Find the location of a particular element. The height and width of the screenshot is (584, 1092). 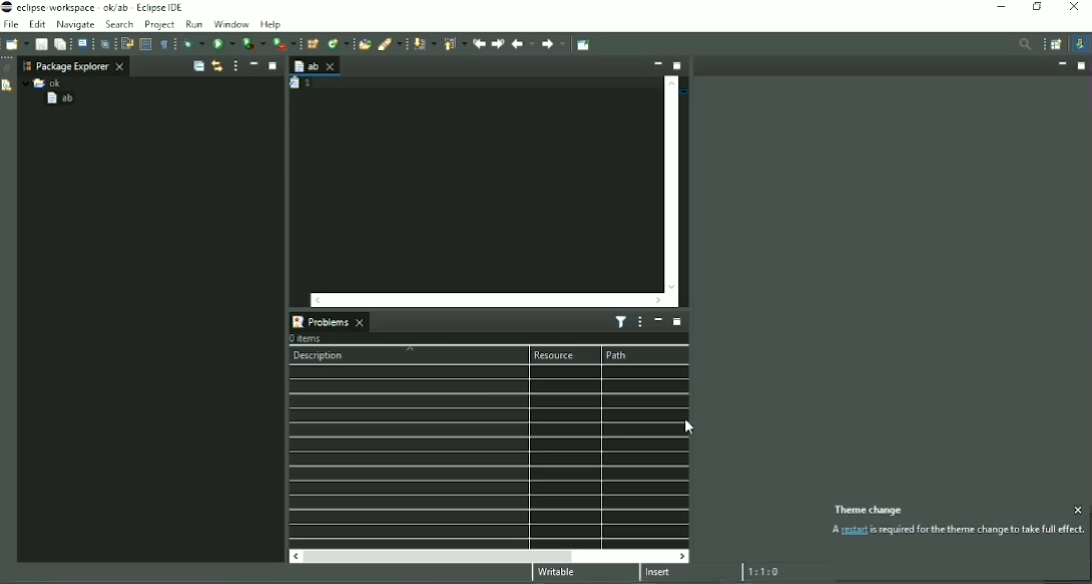

Toggle Word Wrap is located at coordinates (126, 42).